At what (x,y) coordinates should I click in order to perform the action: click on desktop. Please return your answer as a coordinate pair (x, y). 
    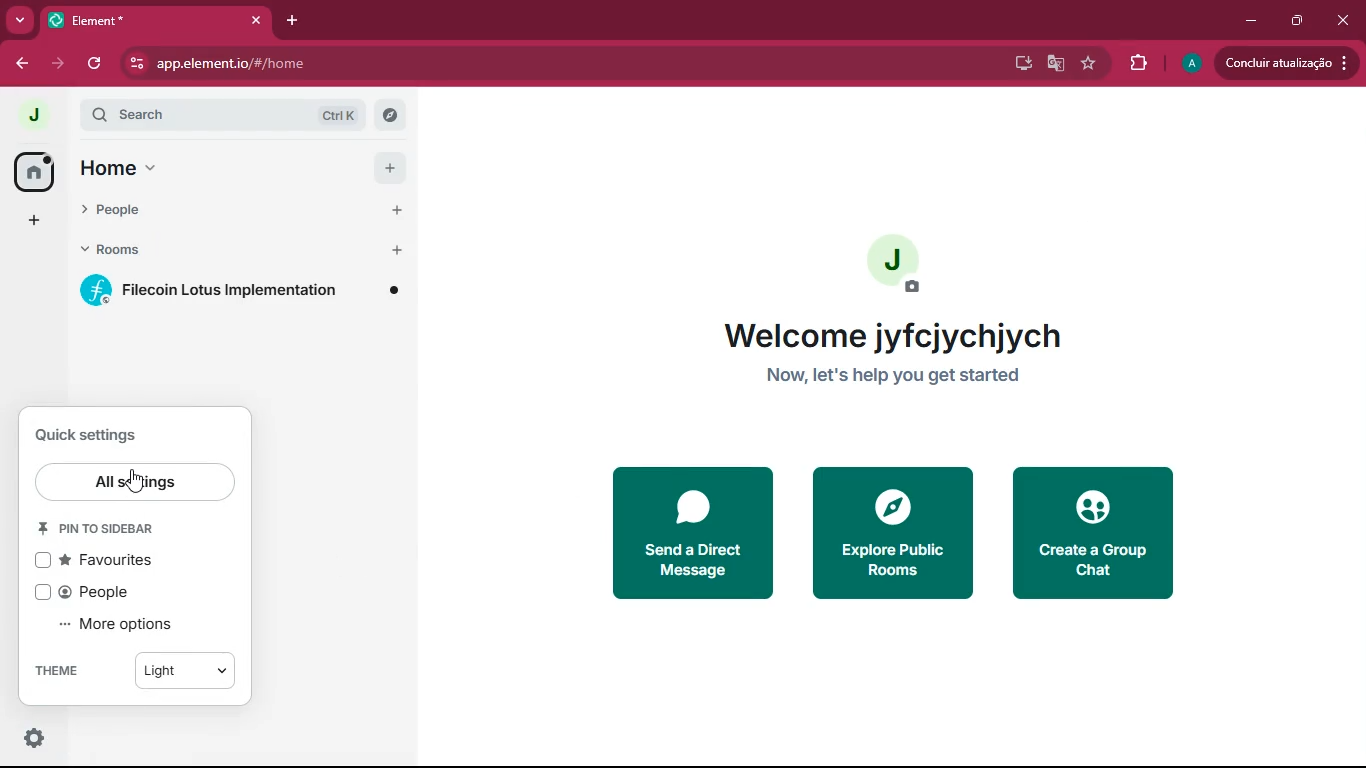
    Looking at the image, I should click on (1019, 63).